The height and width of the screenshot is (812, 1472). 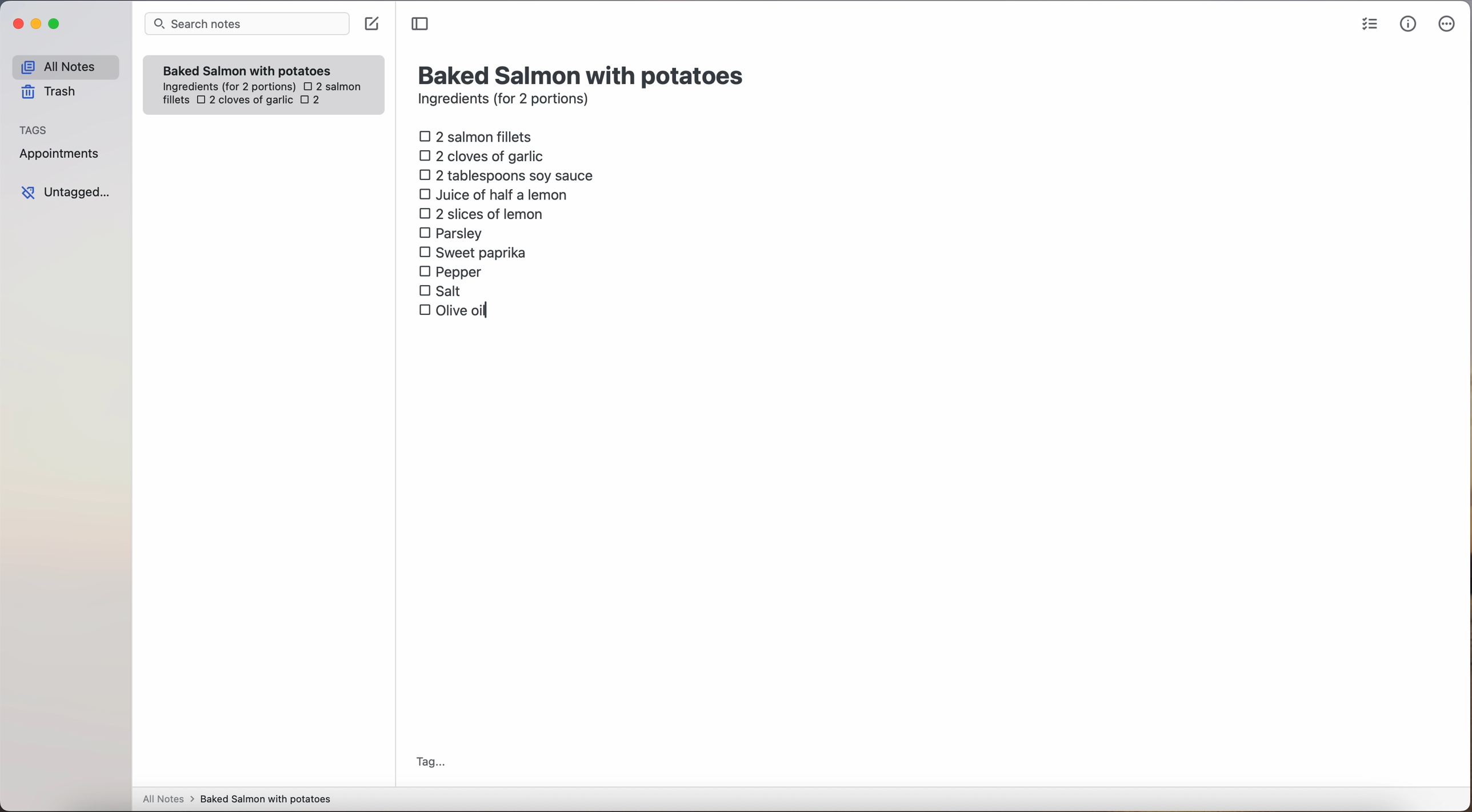 What do you see at coordinates (36, 25) in the screenshot?
I see `minimize Simplenote` at bounding box center [36, 25].